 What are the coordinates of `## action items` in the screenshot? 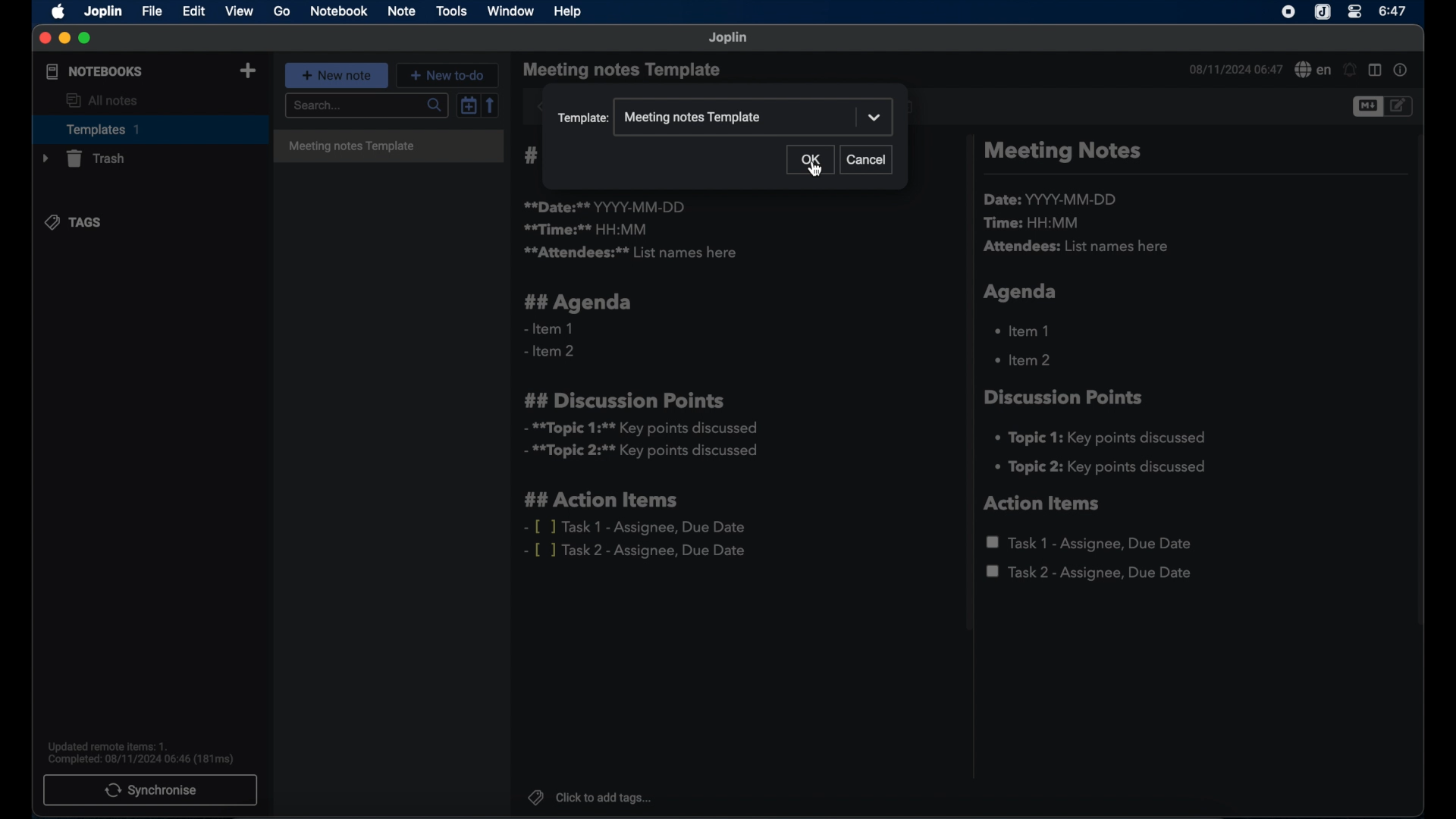 It's located at (605, 500).